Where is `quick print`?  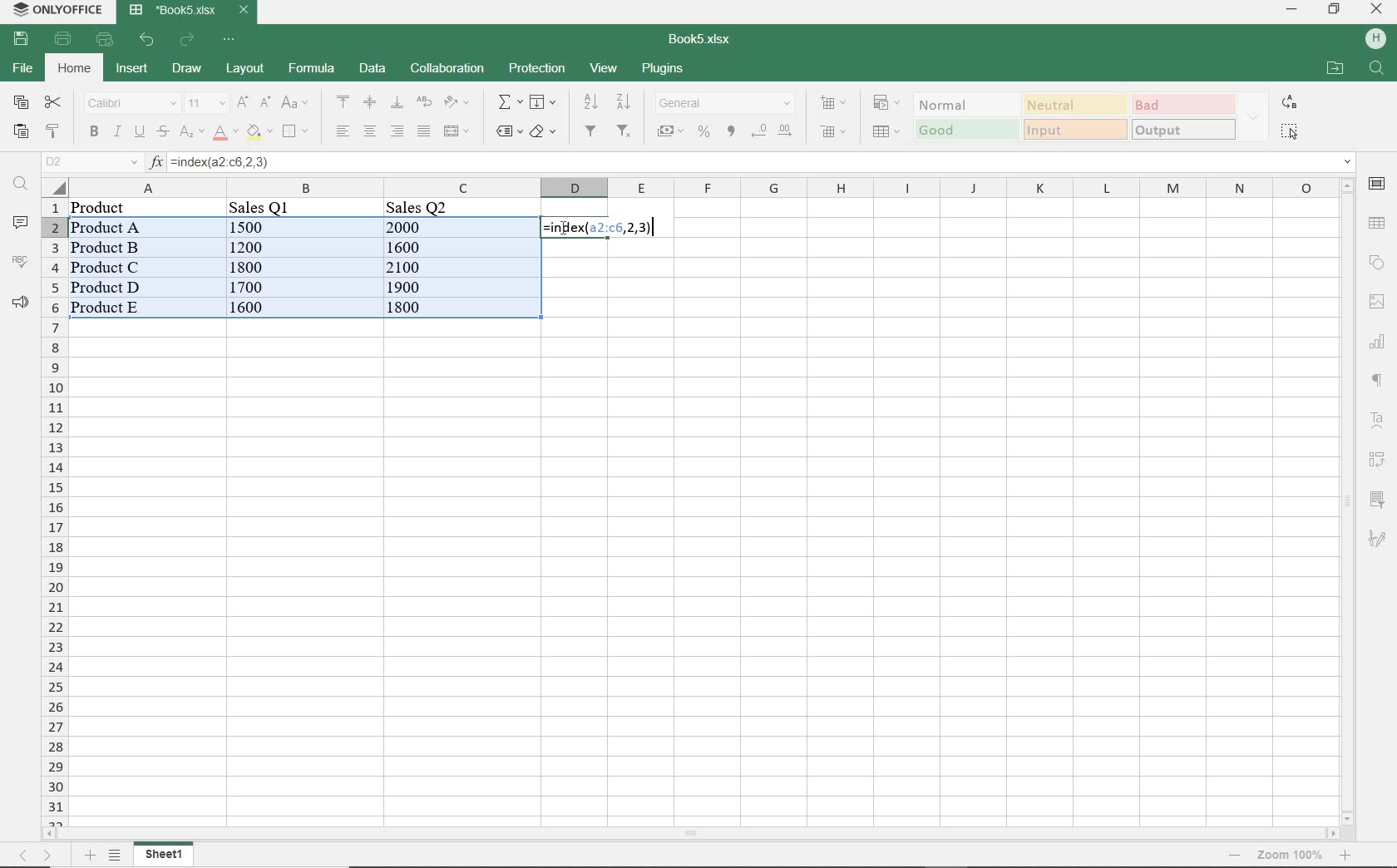
quick print is located at coordinates (106, 38).